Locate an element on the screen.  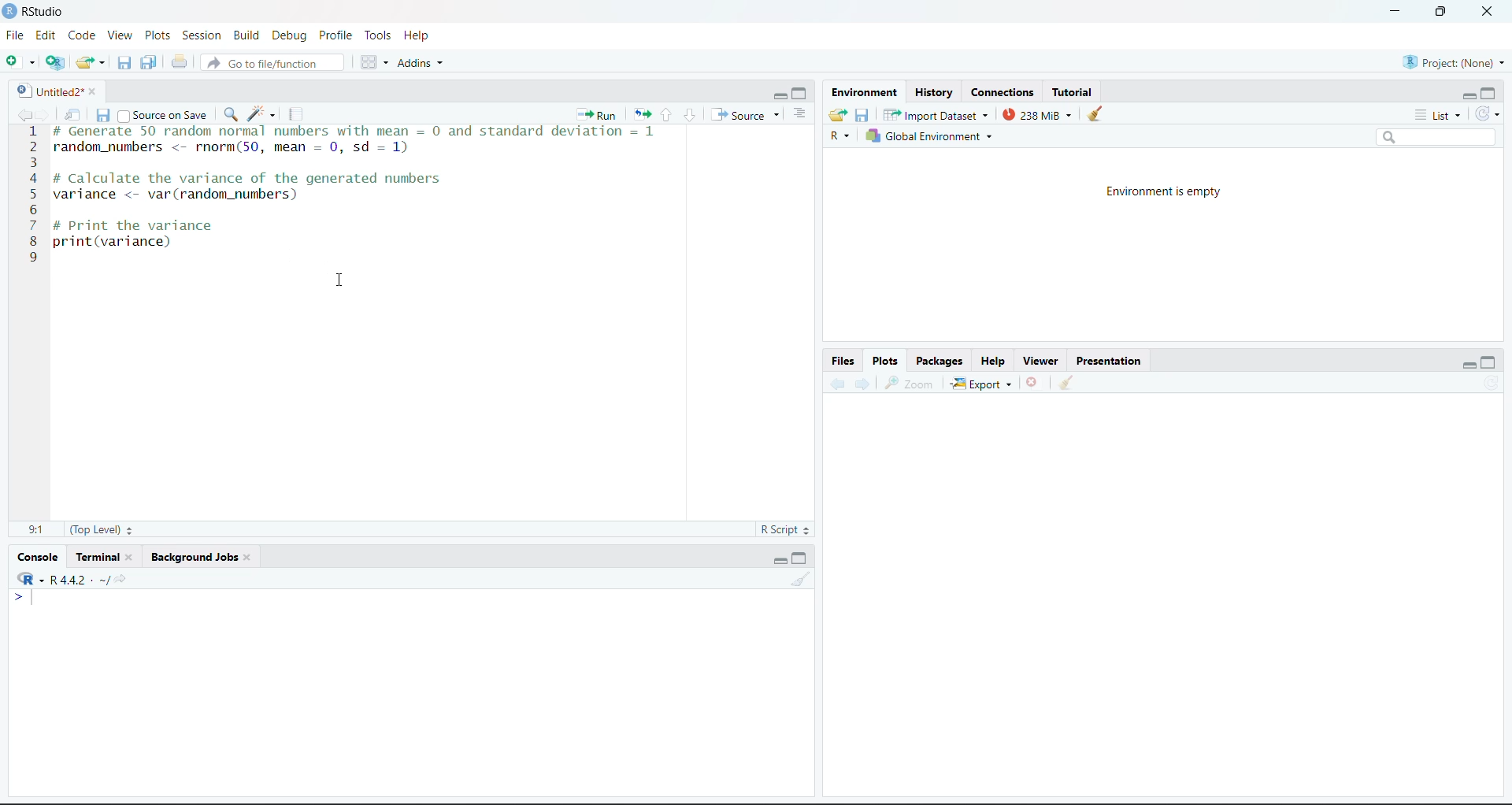
Plots is located at coordinates (885, 361).